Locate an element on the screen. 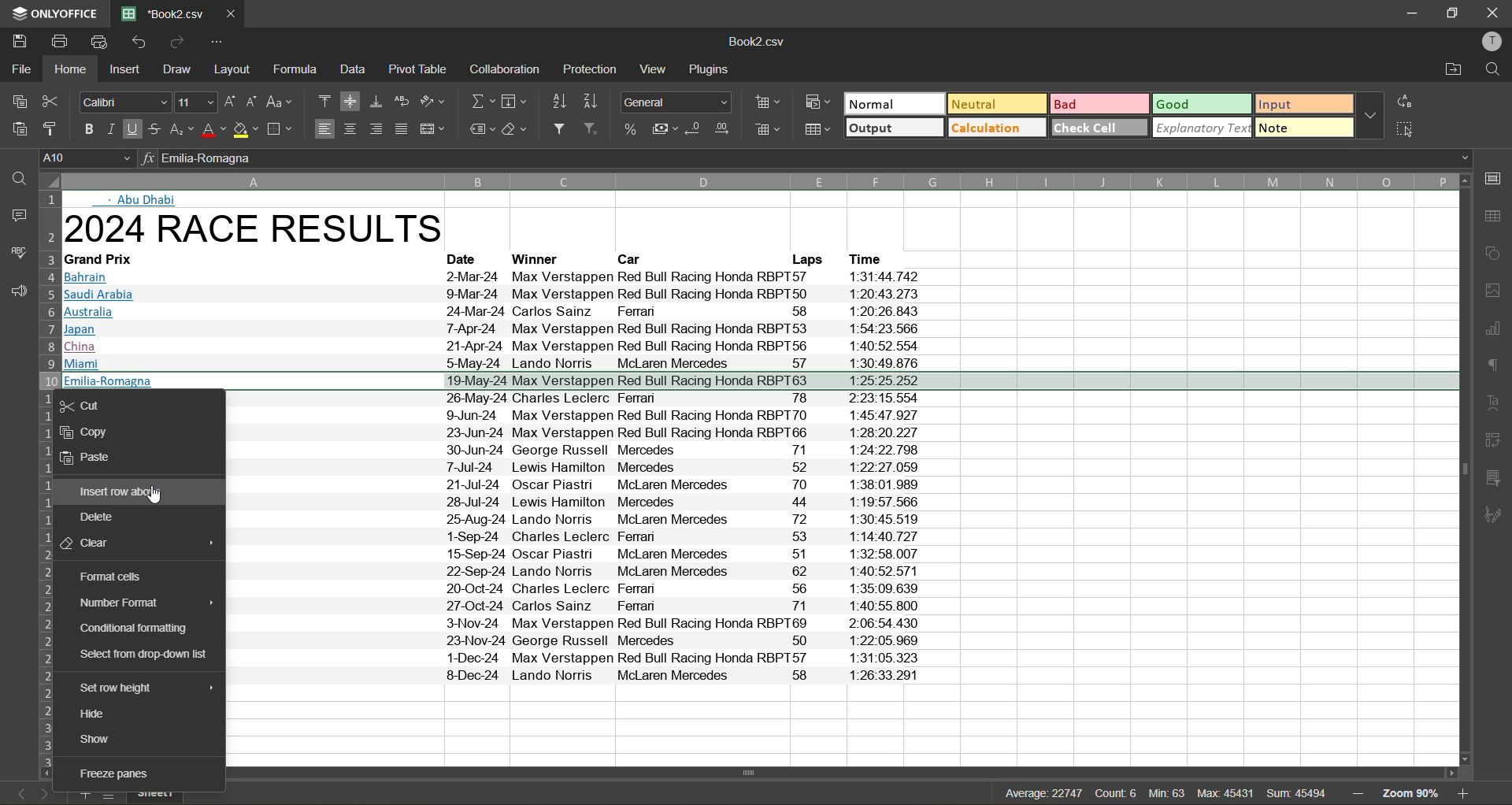 The image size is (1512, 805). conditional formatting is located at coordinates (817, 103).